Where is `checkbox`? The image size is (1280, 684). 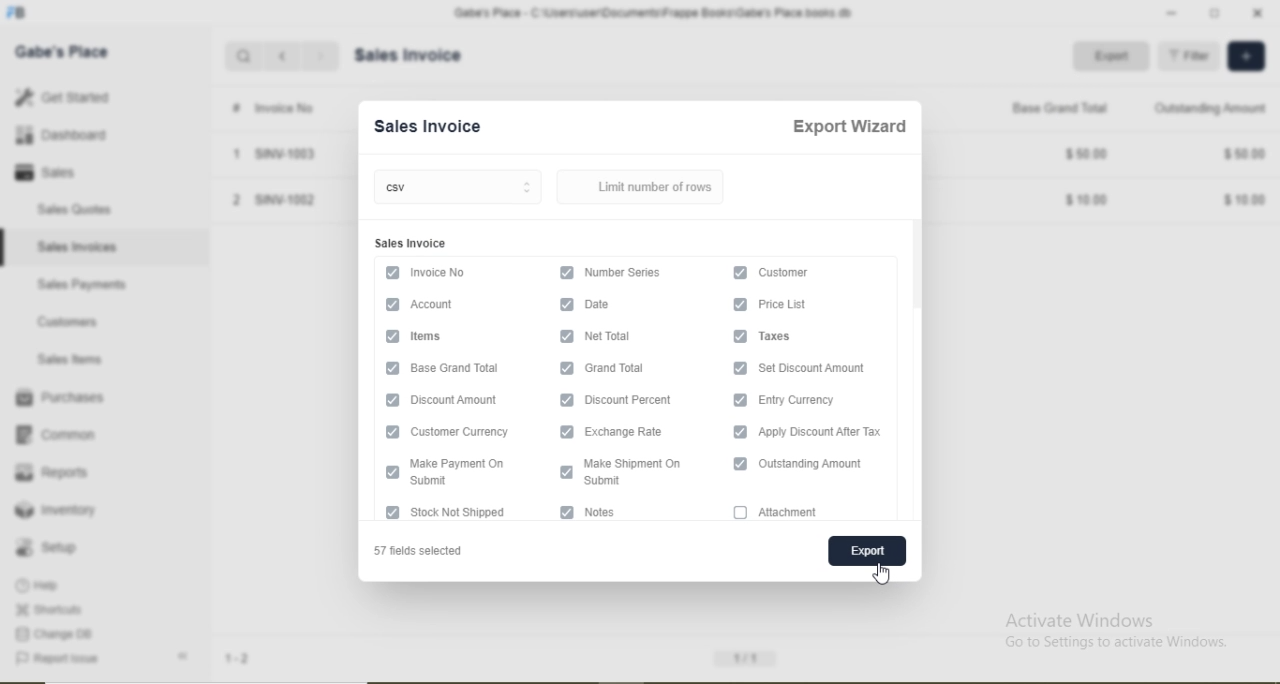 checkbox is located at coordinates (390, 430).